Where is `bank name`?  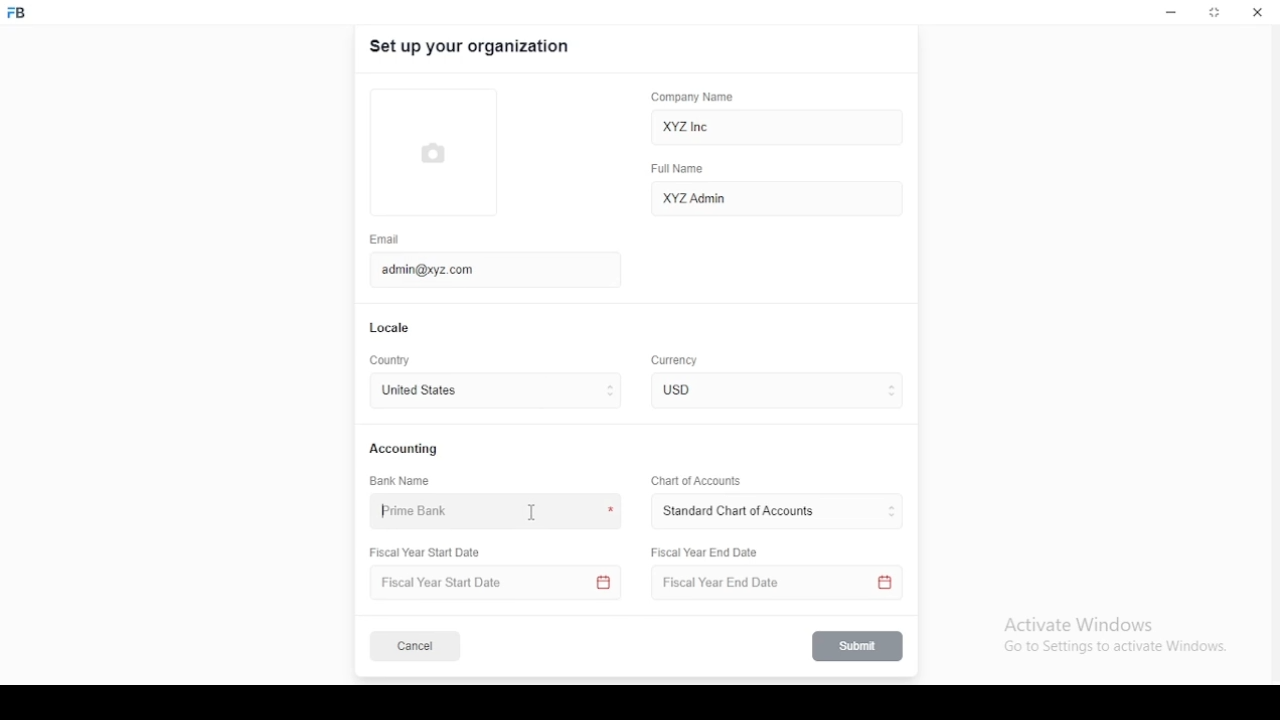 bank name is located at coordinates (401, 481).